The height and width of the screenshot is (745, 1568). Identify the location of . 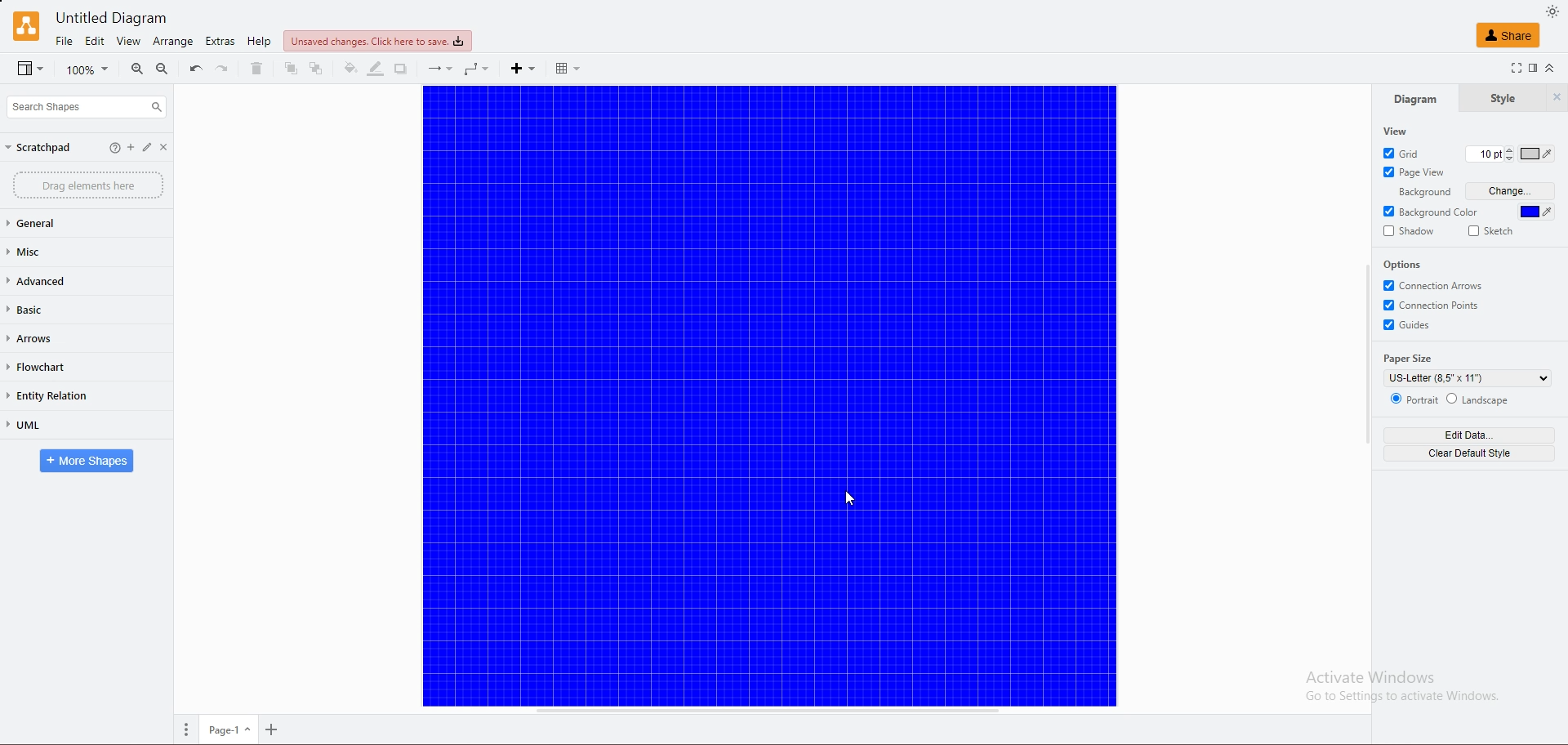
(114, 148).